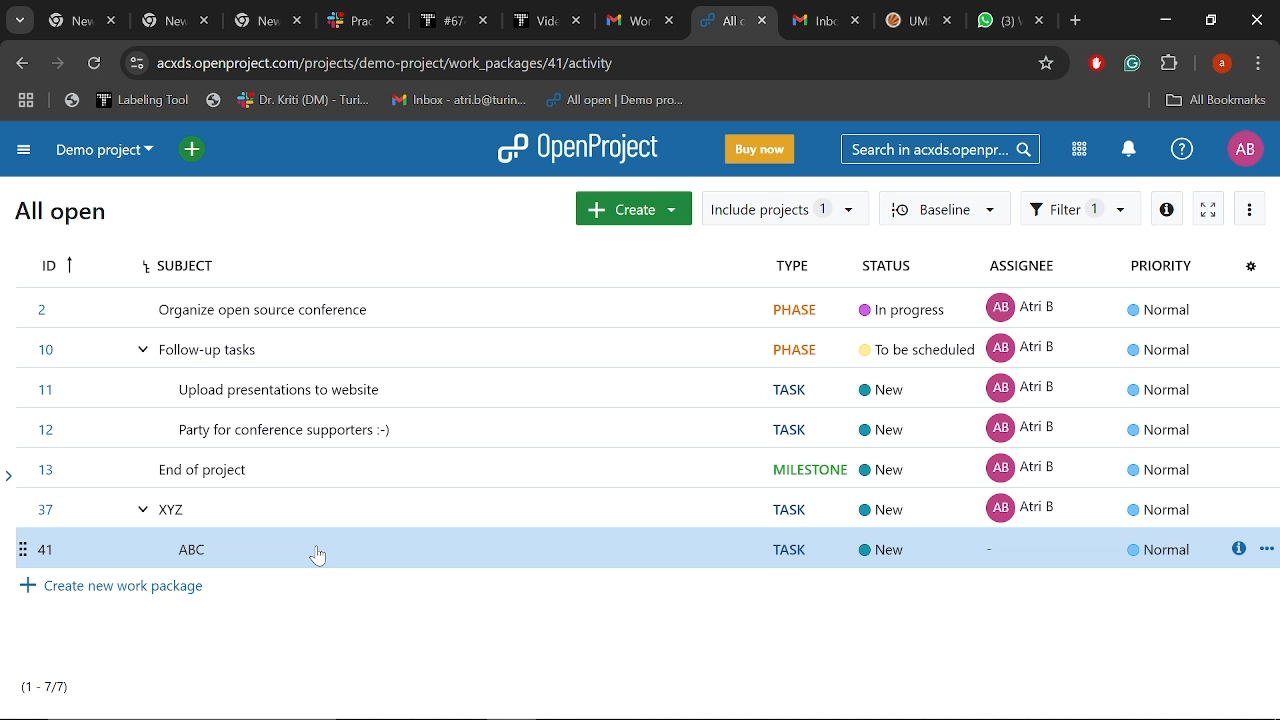 This screenshot has width=1280, height=720. Describe the element at coordinates (1210, 20) in the screenshot. I see `Restotre down` at that location.